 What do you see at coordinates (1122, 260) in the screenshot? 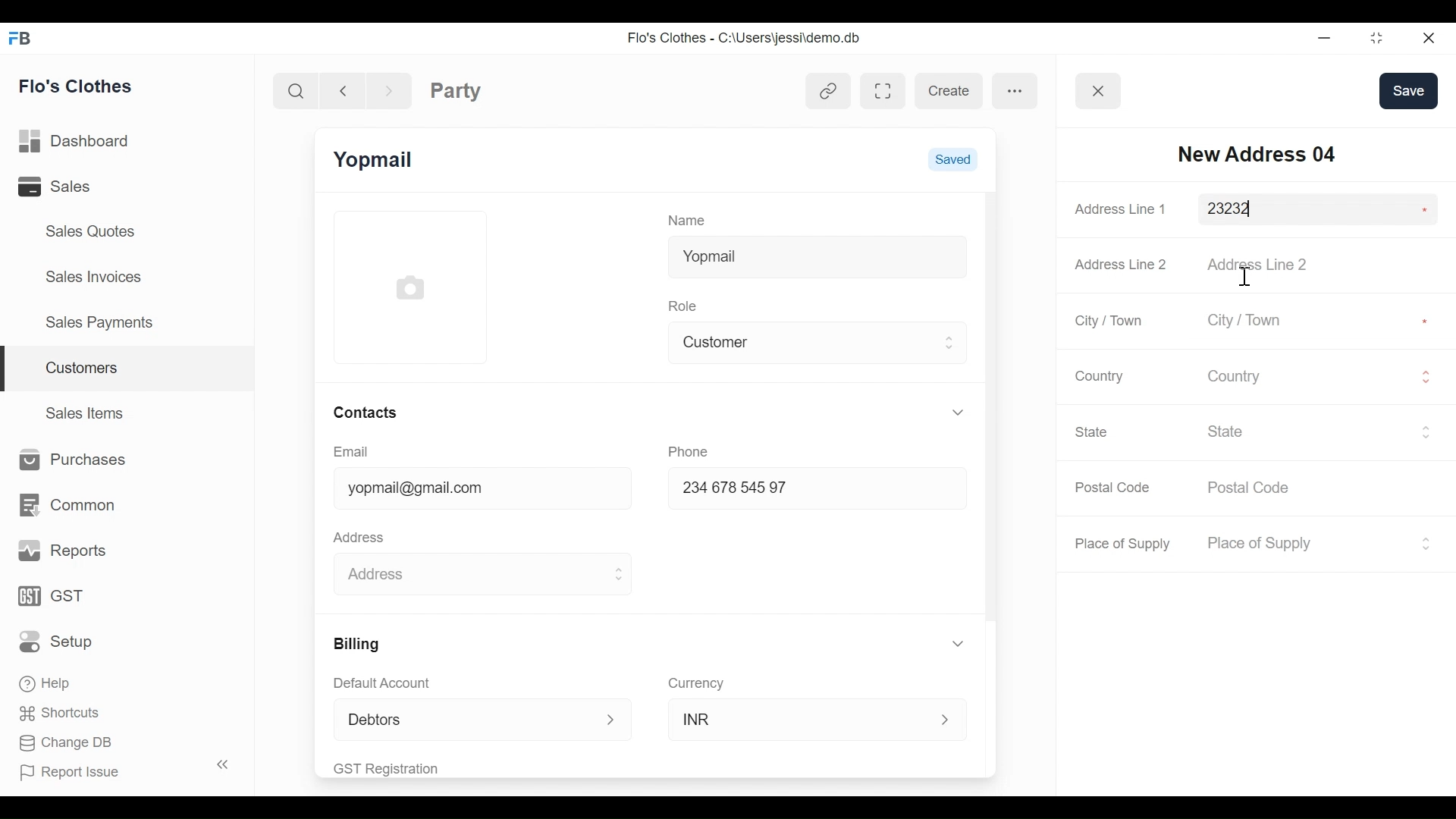
I see `Address Line 2` at bounding box center [1122, 260].